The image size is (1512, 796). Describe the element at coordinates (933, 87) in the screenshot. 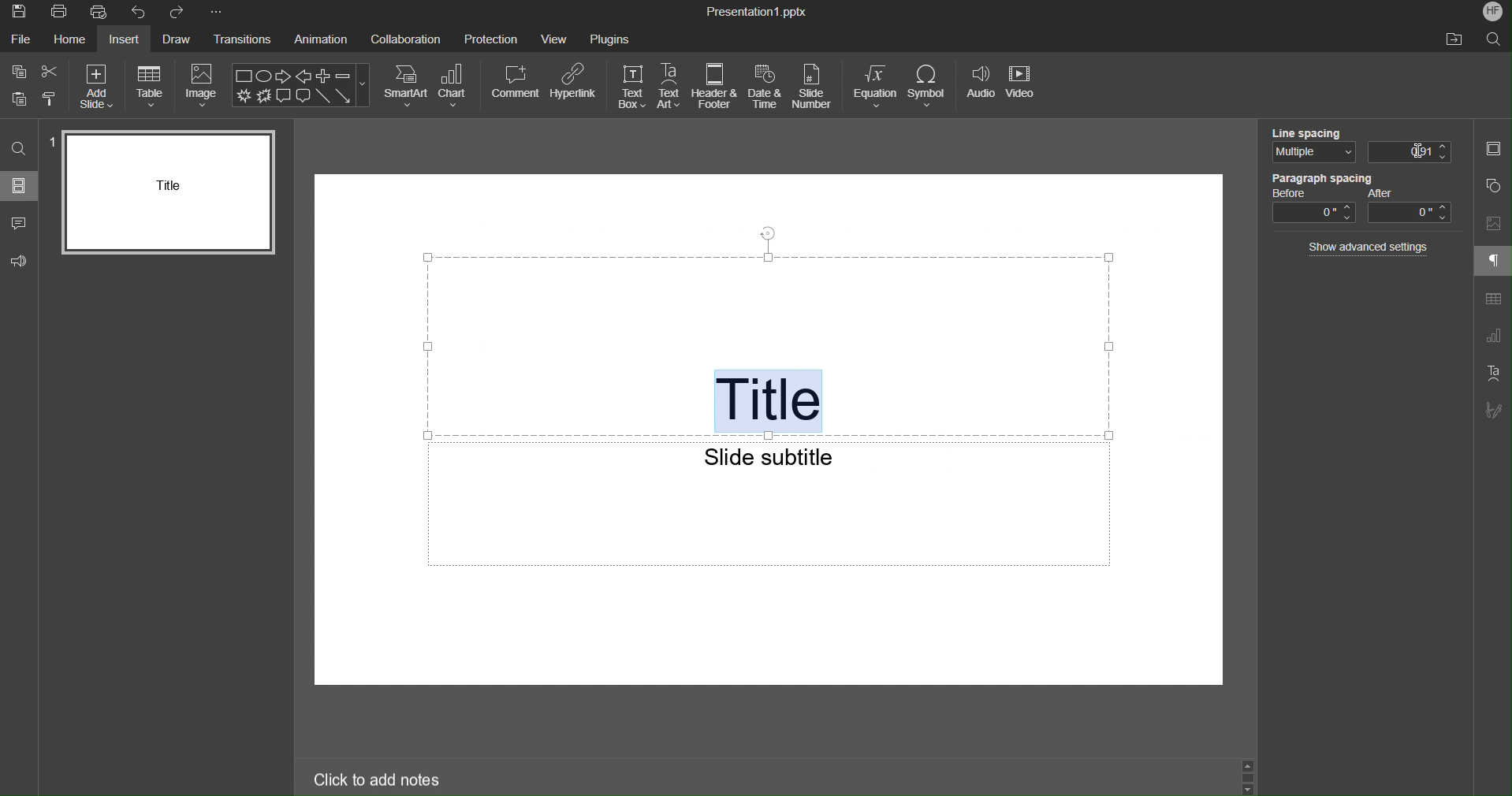

I see `Symbol` at that location.